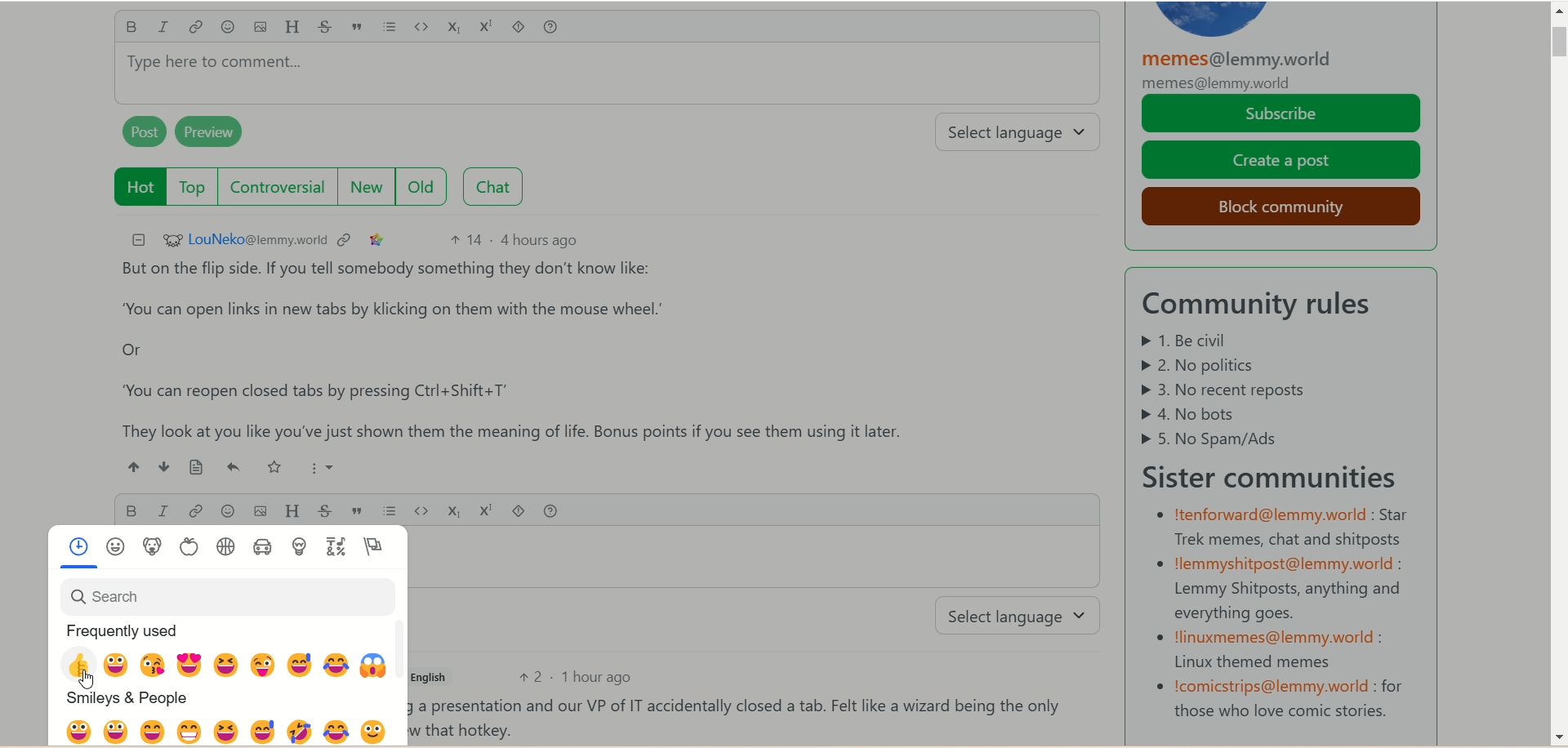 The image size is (1568, 748). What do you see at coordinates (193, 189) in the screenshot?
I see `top` at bounding box center [193, 189].